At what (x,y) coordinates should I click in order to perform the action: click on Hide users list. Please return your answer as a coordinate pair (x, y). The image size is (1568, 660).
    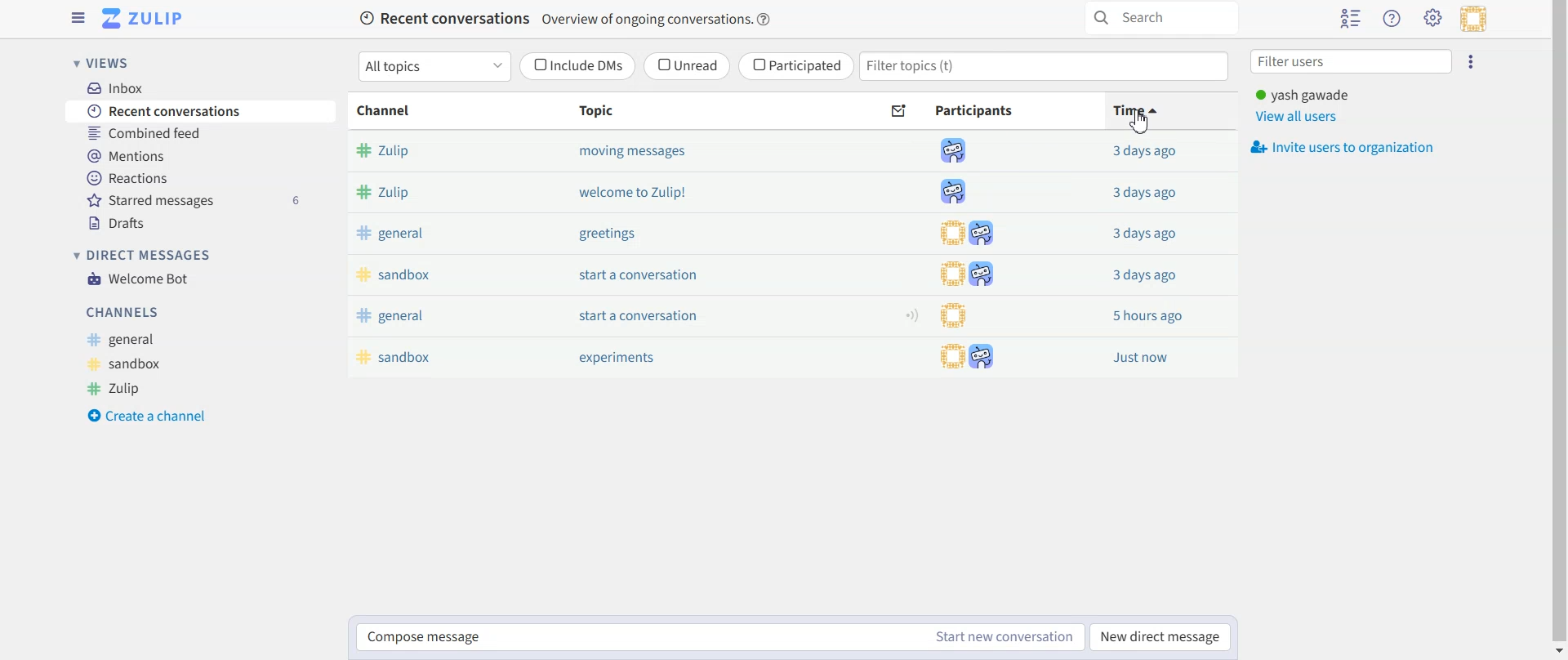
    Looking at the image, I should click on (1351, 20).